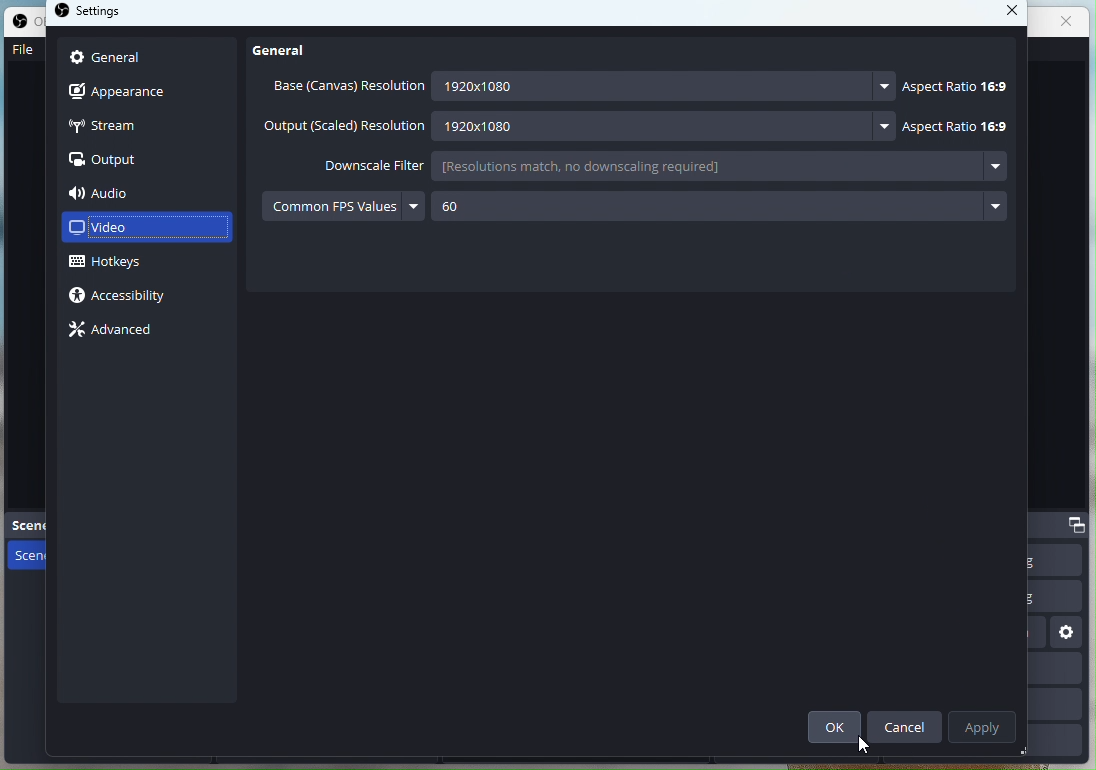 The width and height of the screenshot is (1096, 770). I want to click on Apperance, so click(148, 92).